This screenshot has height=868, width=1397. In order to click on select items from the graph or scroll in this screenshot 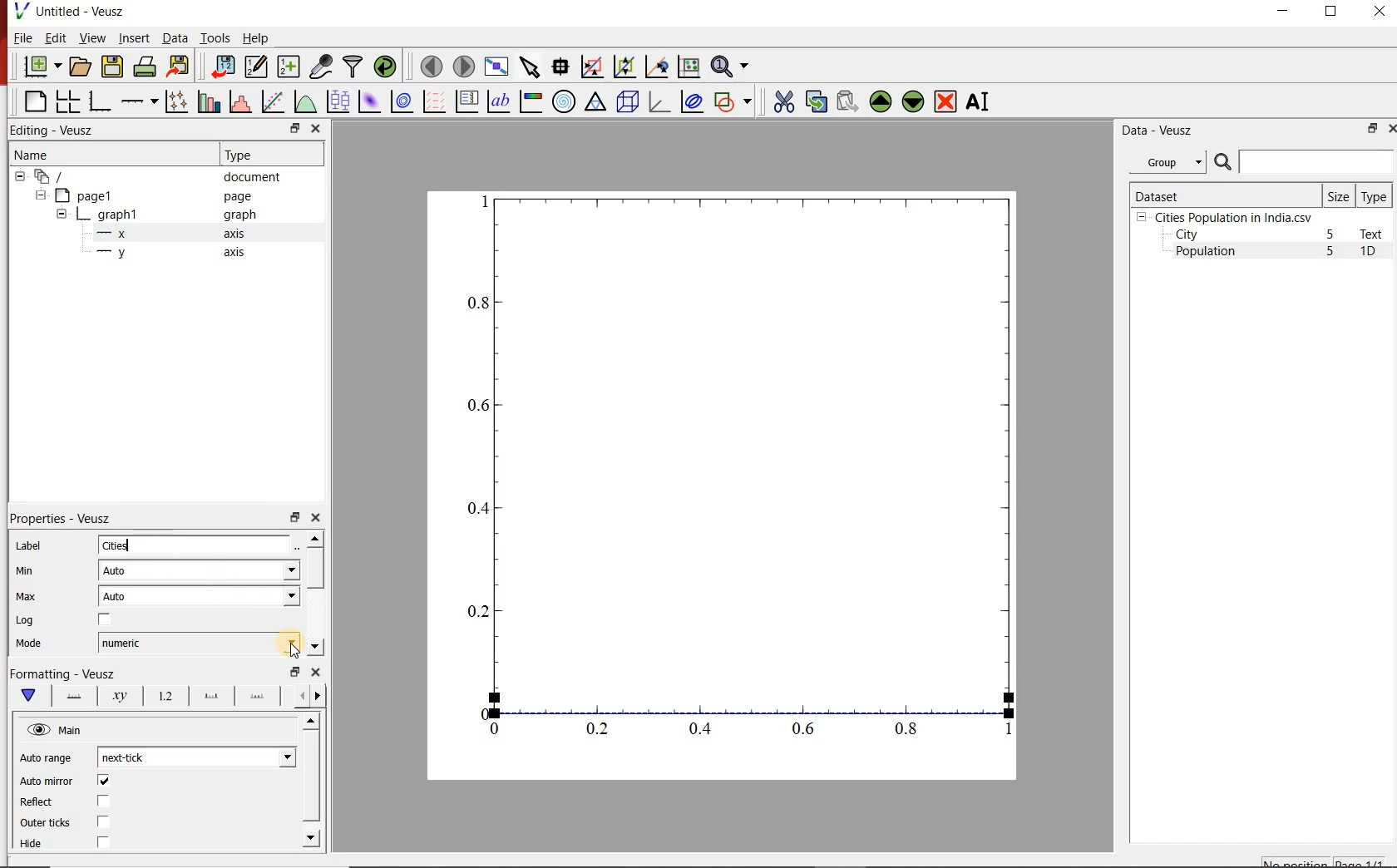, I will do `click(529, 66)`.